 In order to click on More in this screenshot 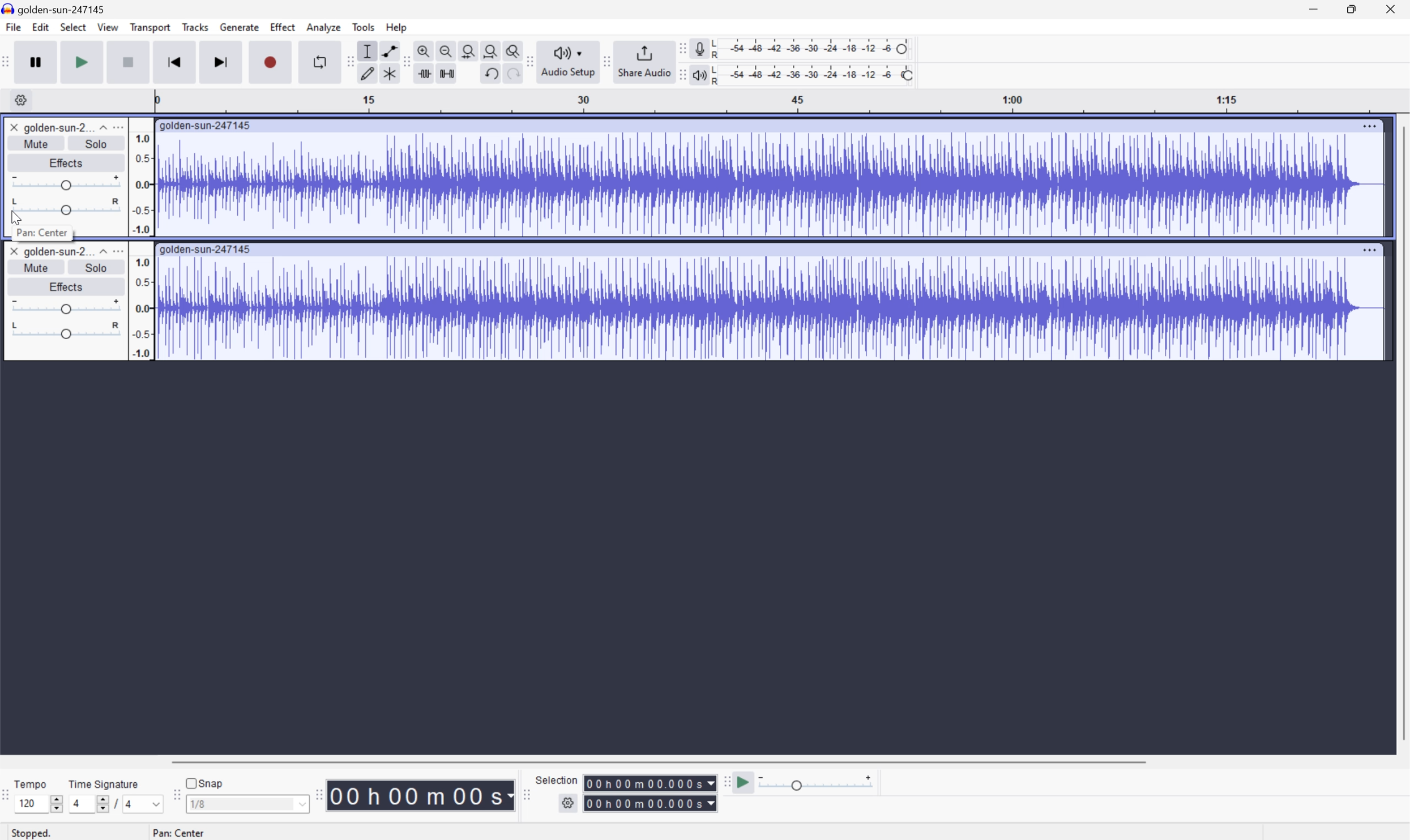, I will do `click(1370, 246)`.